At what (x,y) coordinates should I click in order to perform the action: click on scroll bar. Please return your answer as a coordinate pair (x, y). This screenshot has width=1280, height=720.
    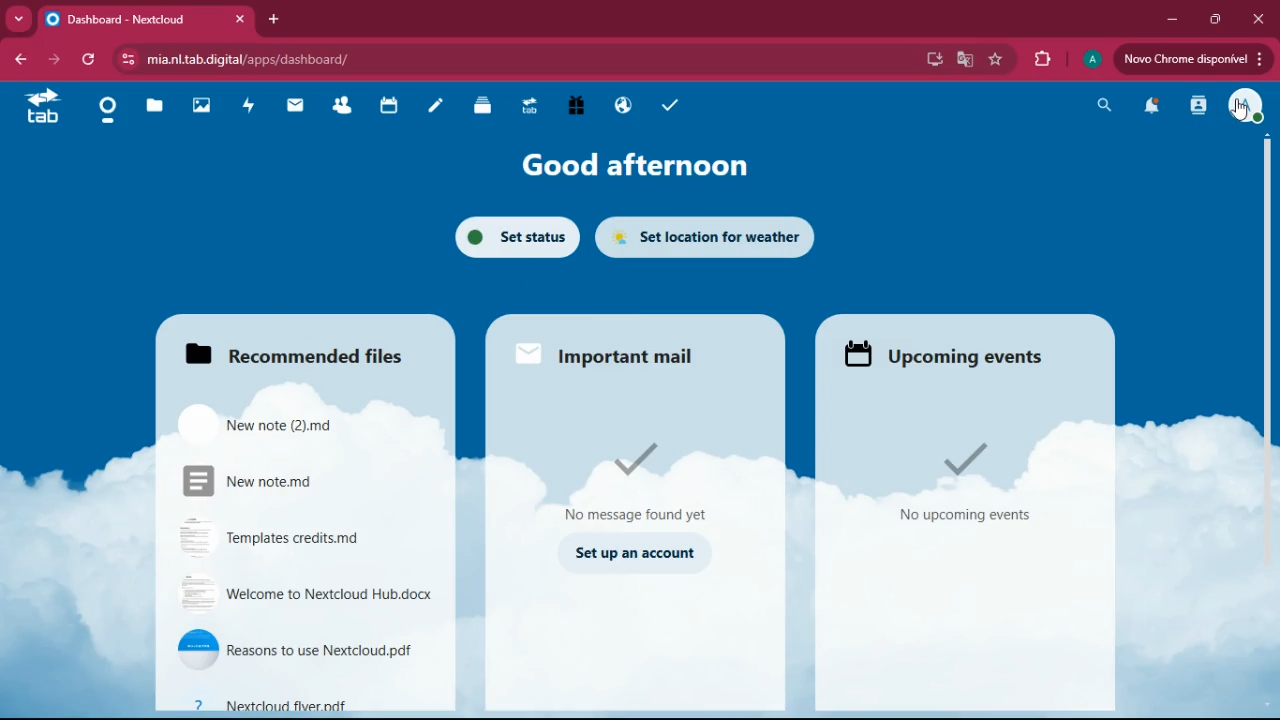
    Looking at the image, I should click on (1263, 309).